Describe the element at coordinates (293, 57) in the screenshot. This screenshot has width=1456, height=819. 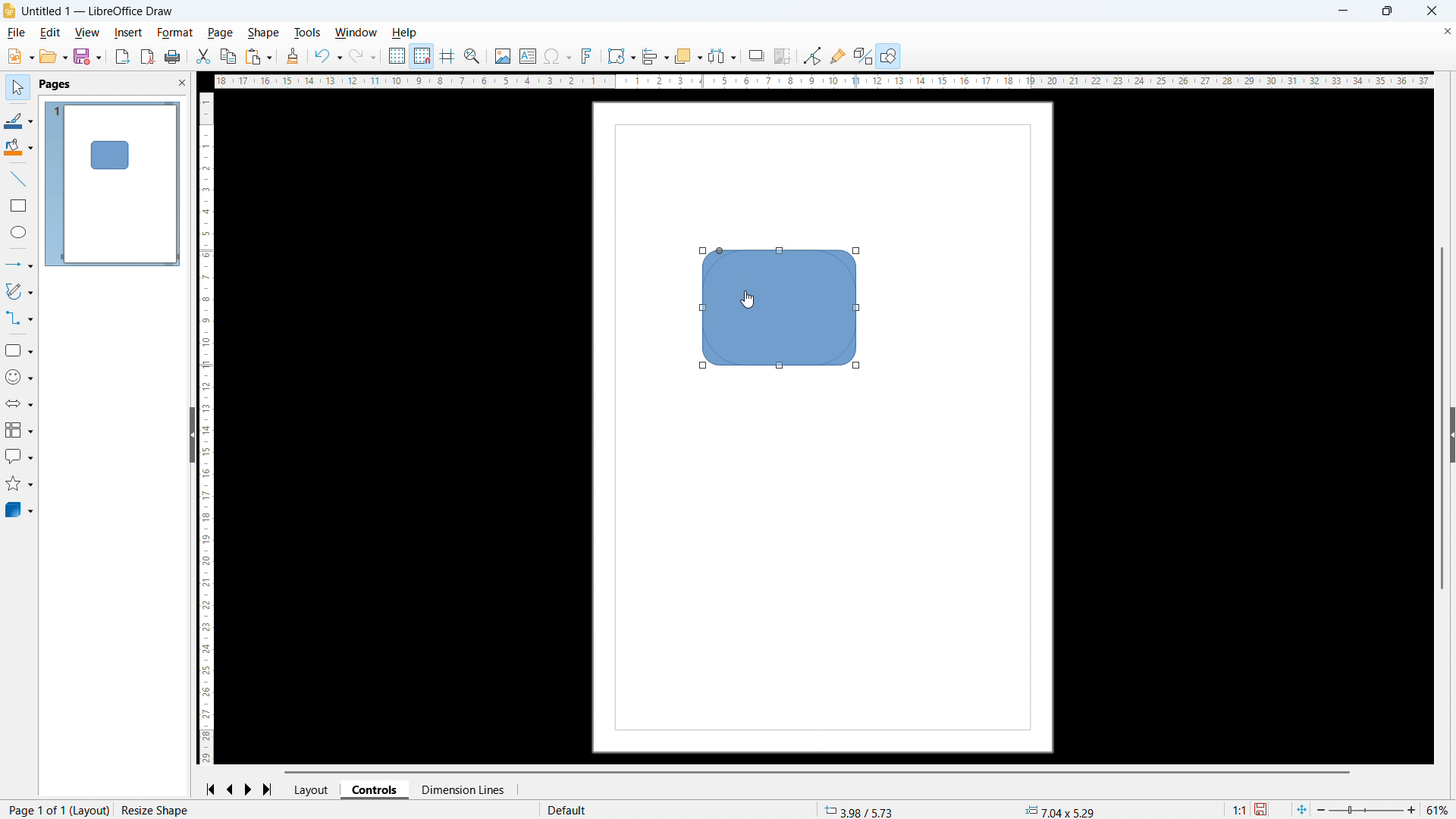
I see `Clone formatting ` at that location.